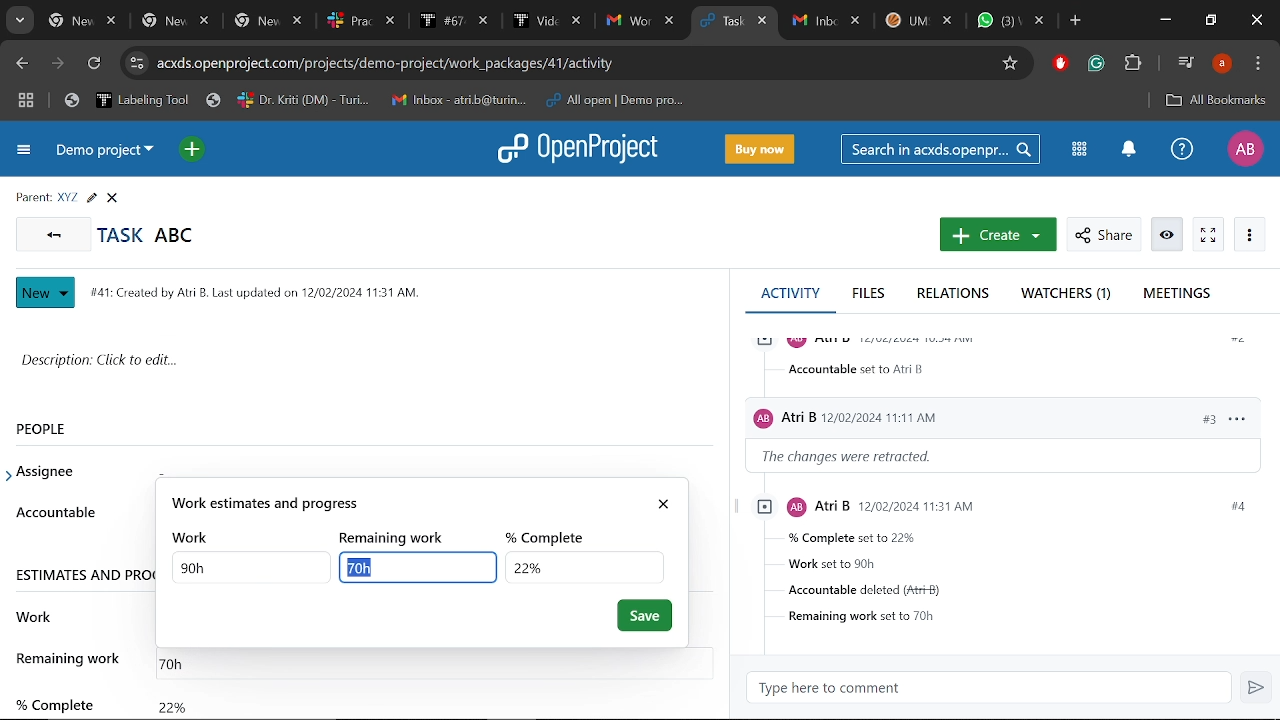 The width and height of the screenshot is (1280, 720). What do you see at coordinates (63, 428) in the screenshot?
I see `People` at bounding box center [63, 428].